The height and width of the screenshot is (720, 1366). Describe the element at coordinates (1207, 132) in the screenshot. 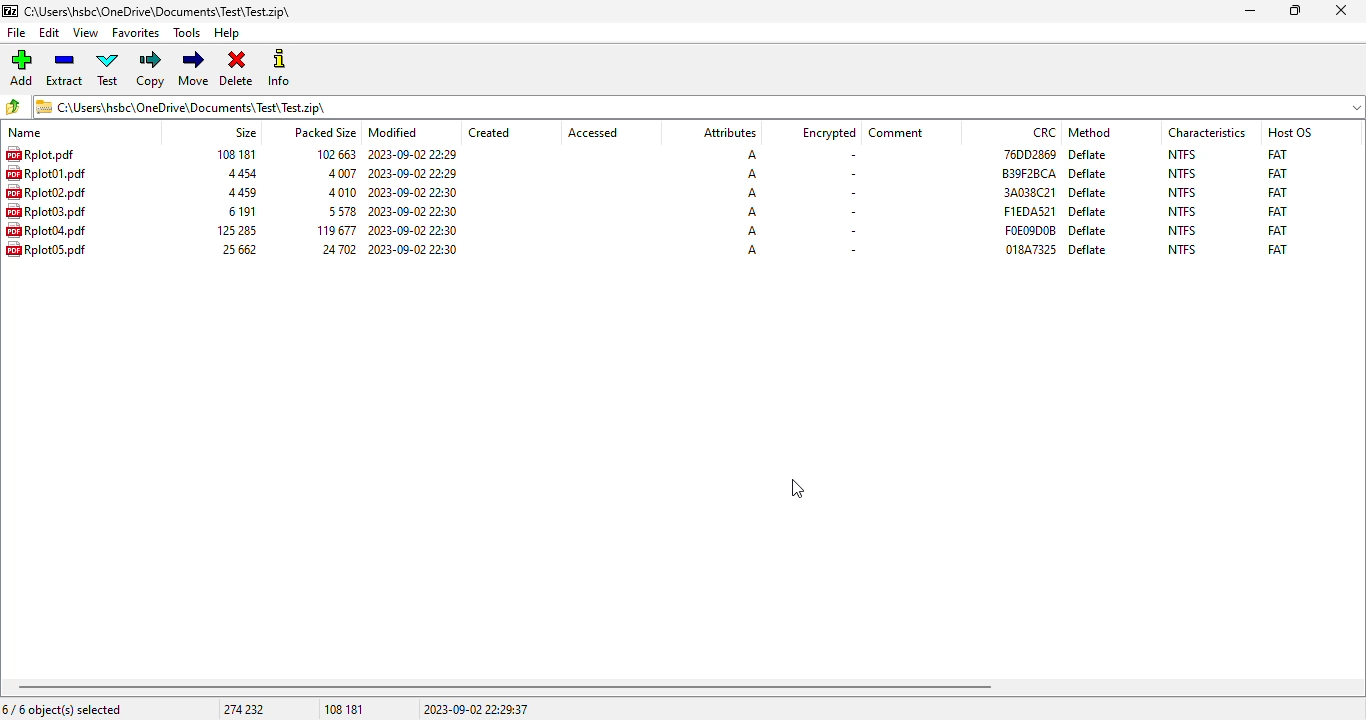

I see `characteristics` at that location.